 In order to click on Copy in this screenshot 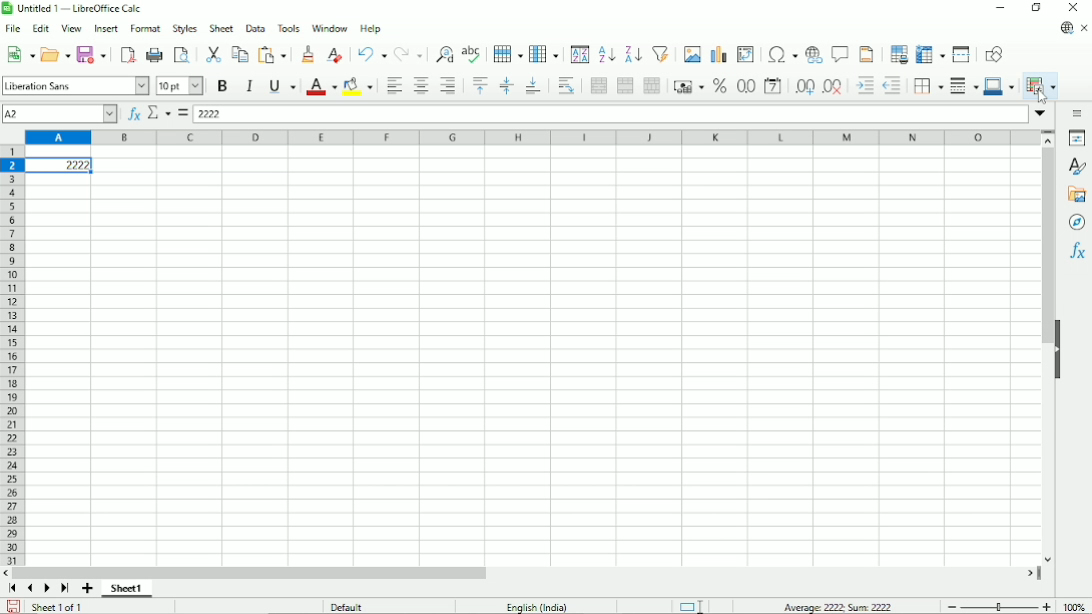, I will do `click(240, 53)`.